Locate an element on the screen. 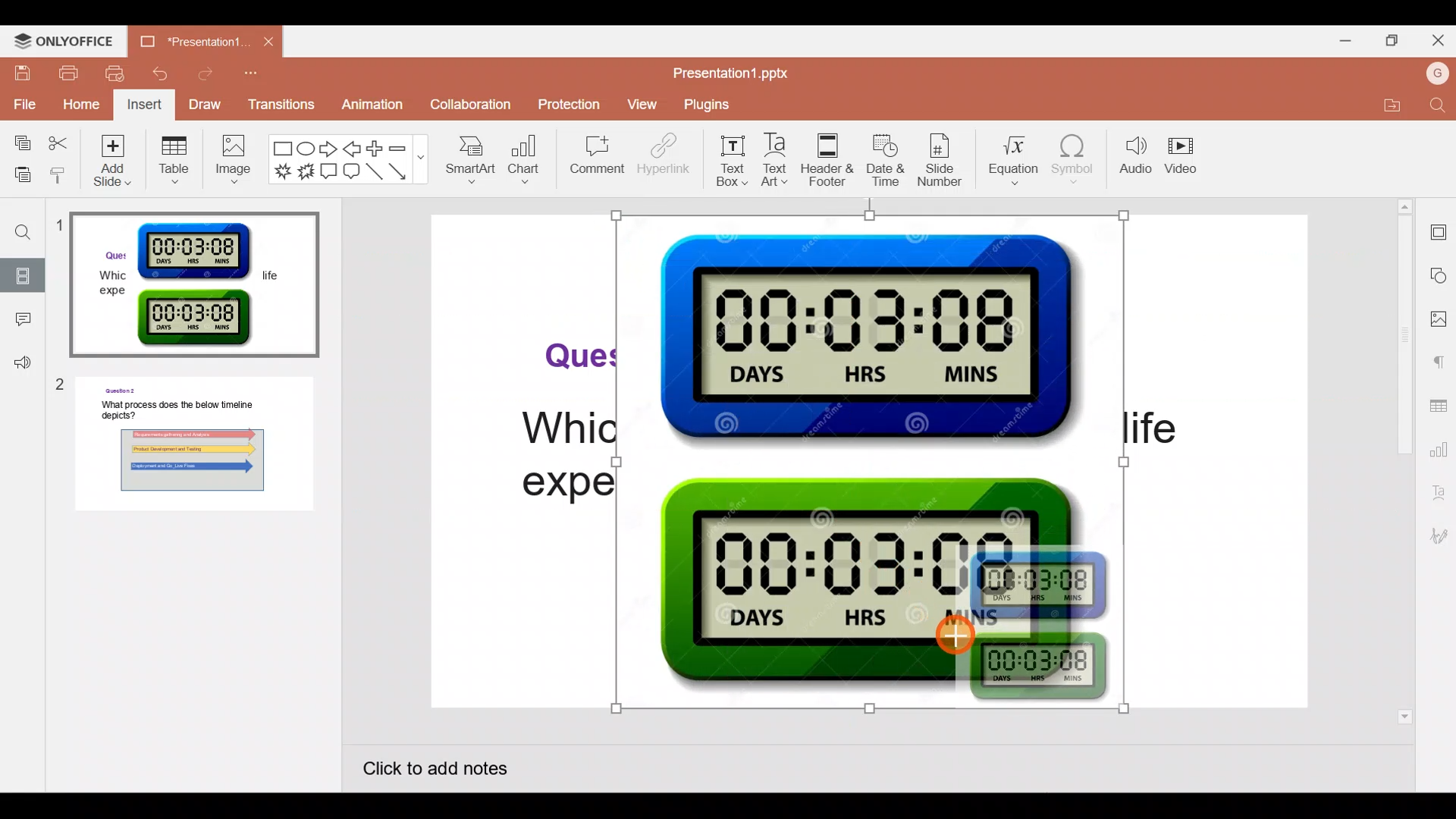 Image resolution: width=1456 pixels, height=819 pixels. Transitions is located at coordinates (282, 105).